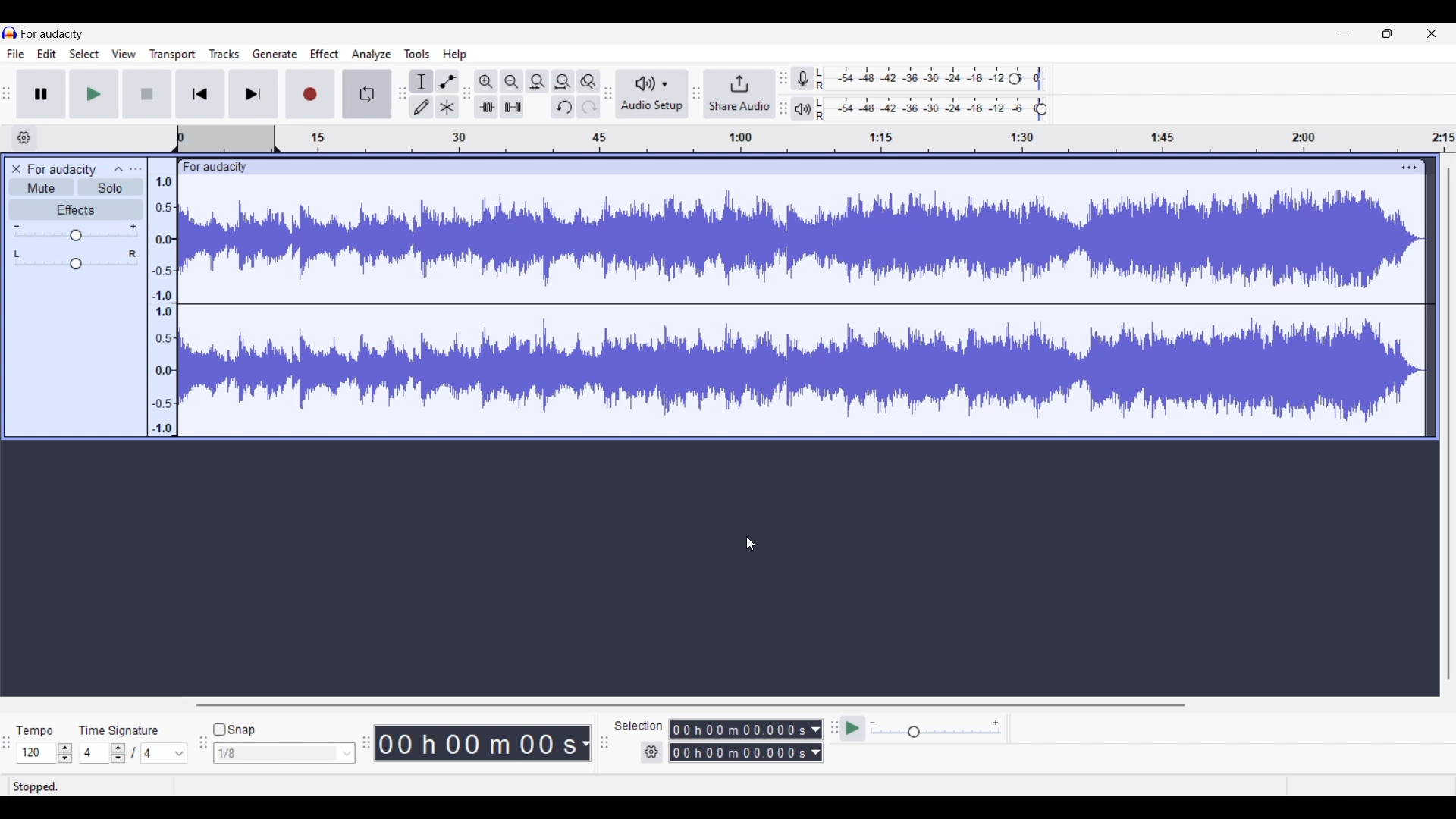  Describe the element at coordinates (200, 752) in the screenshot. I see `snapping toolbar` at that location.